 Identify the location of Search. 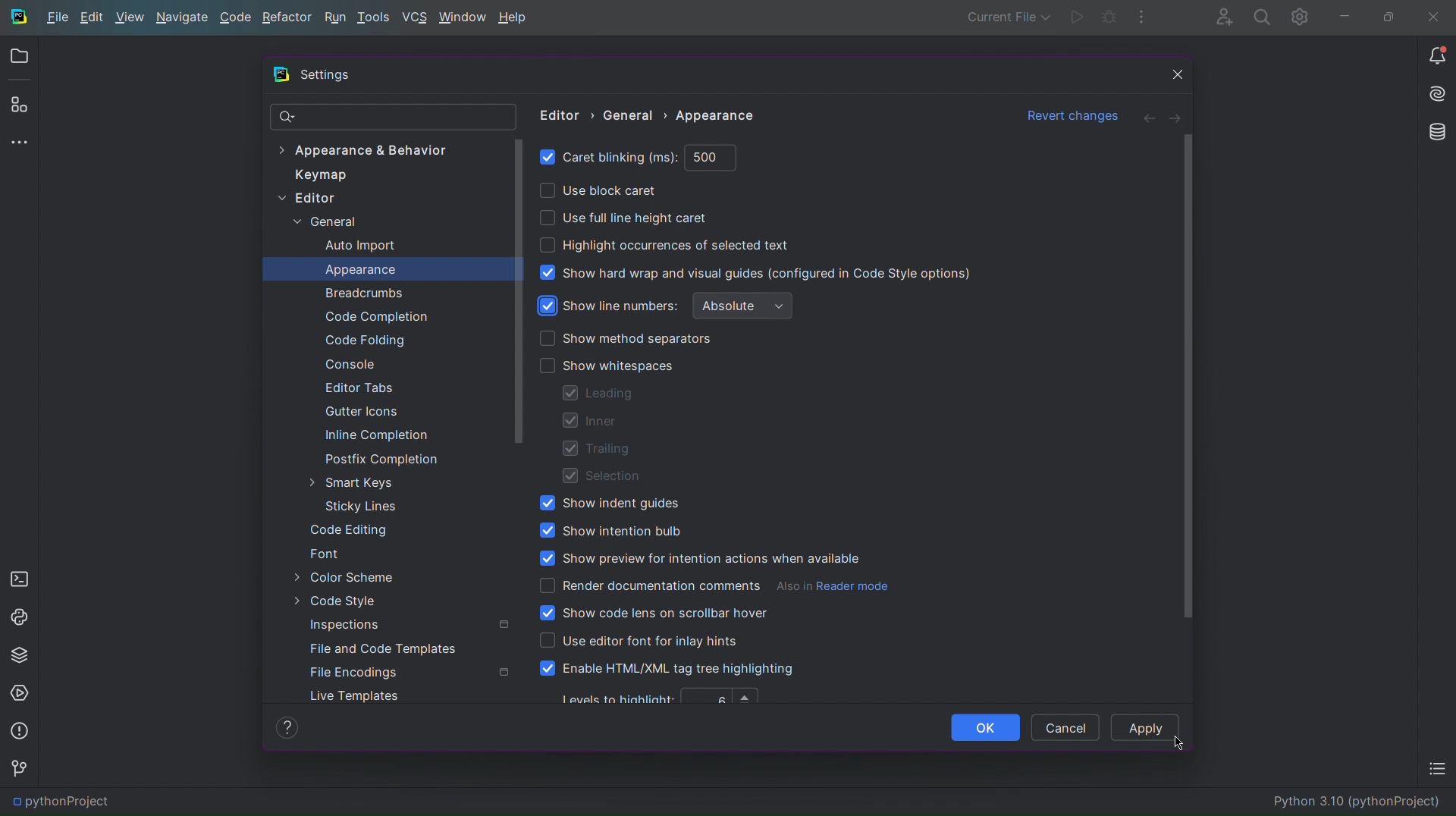
(1259, 17).